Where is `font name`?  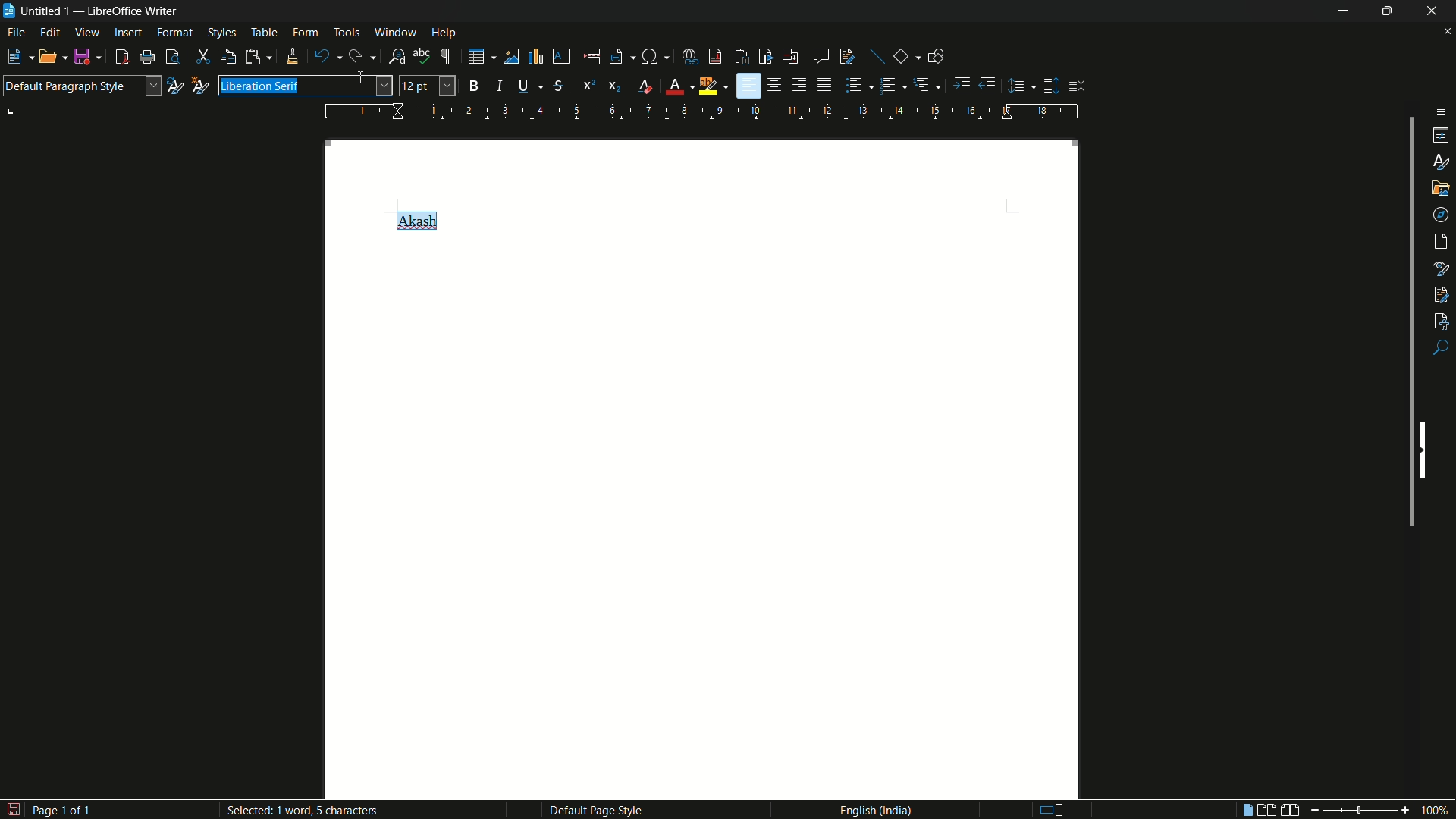 font name is located at coordinates (305, 86).